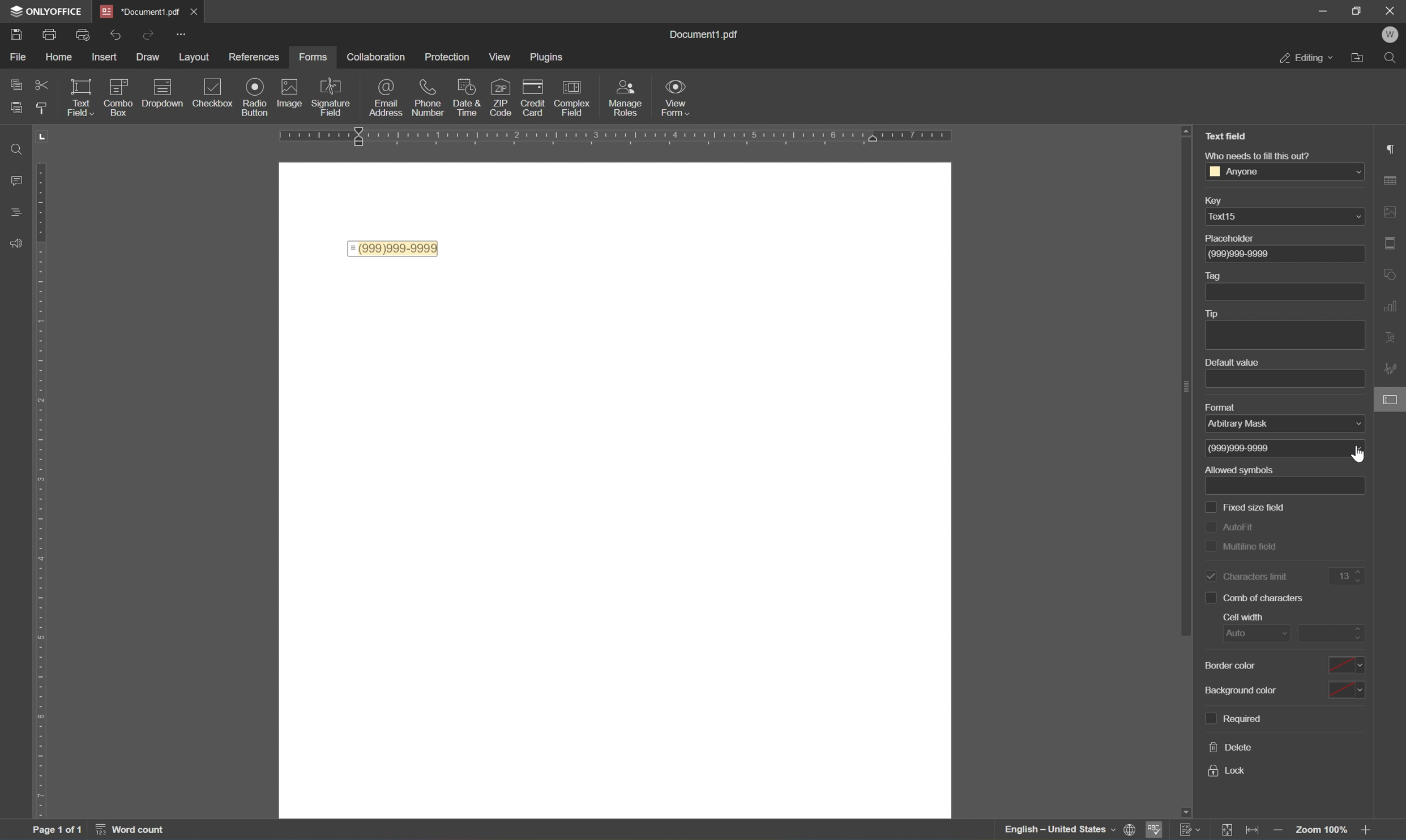 The image size is (1406, 840). What do you see at coordinates (194, 10) in the screenshot?
I see `close` at bounding box center [194, 10].